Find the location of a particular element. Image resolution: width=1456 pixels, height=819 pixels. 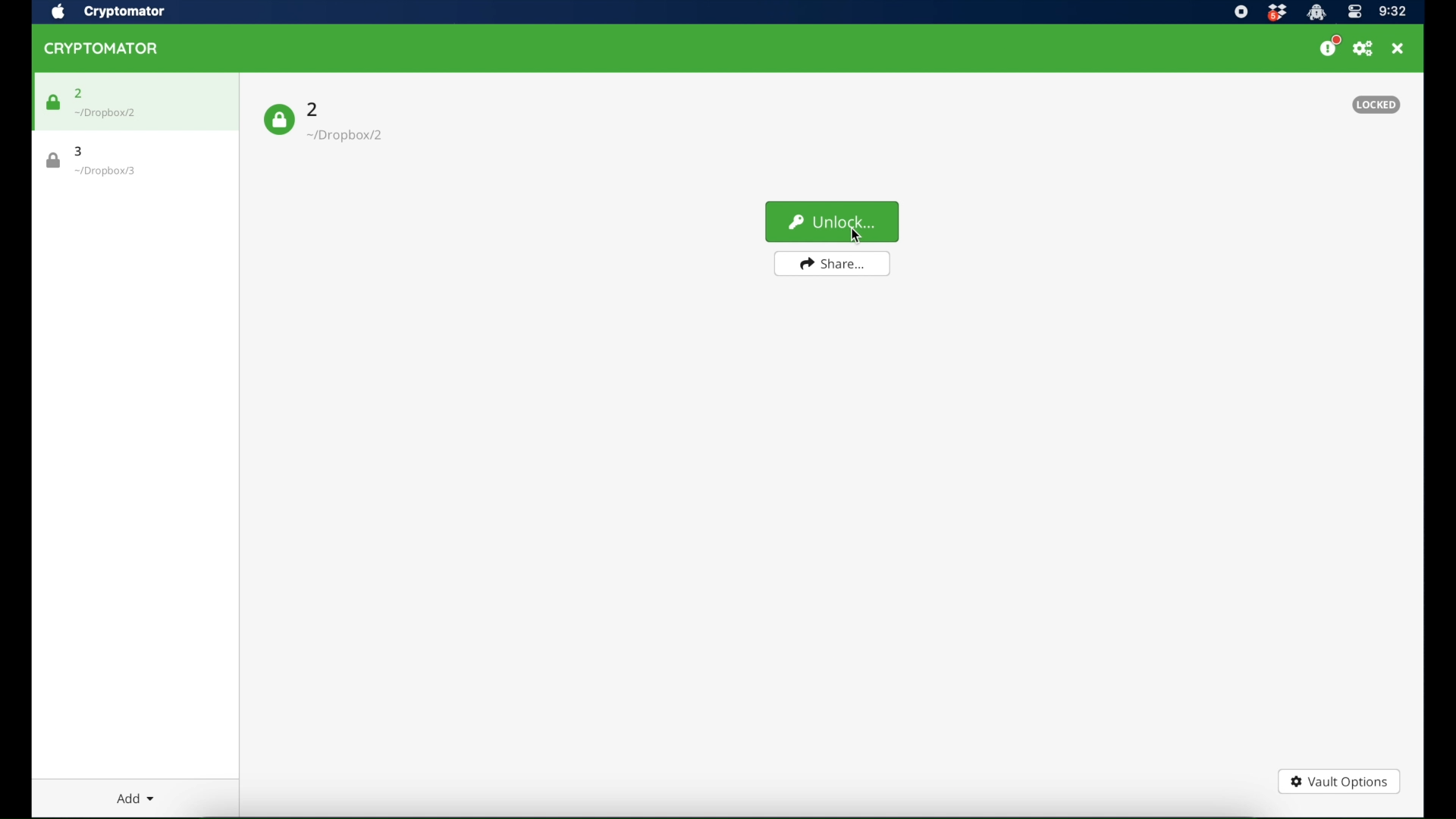

cryptomator icon is located at coordinates (102, 49).